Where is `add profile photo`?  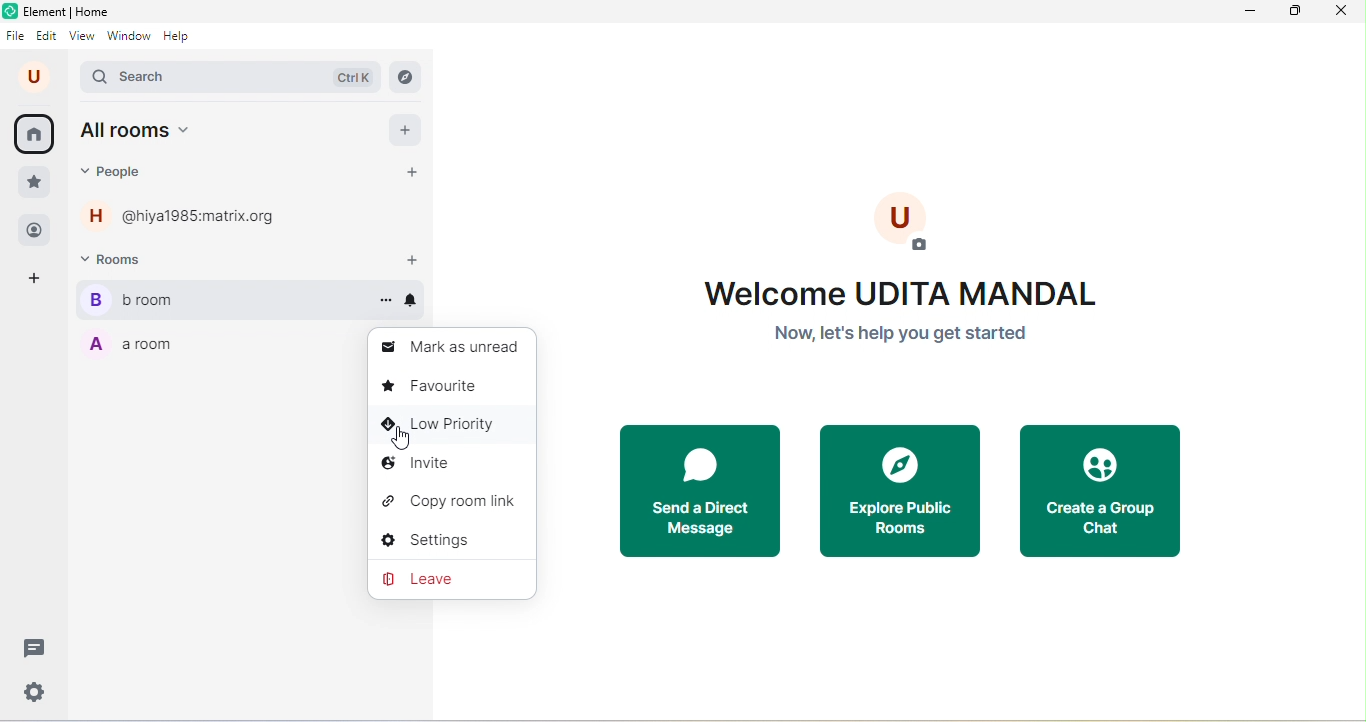 add profile photo is located at coordinates (914, 225).